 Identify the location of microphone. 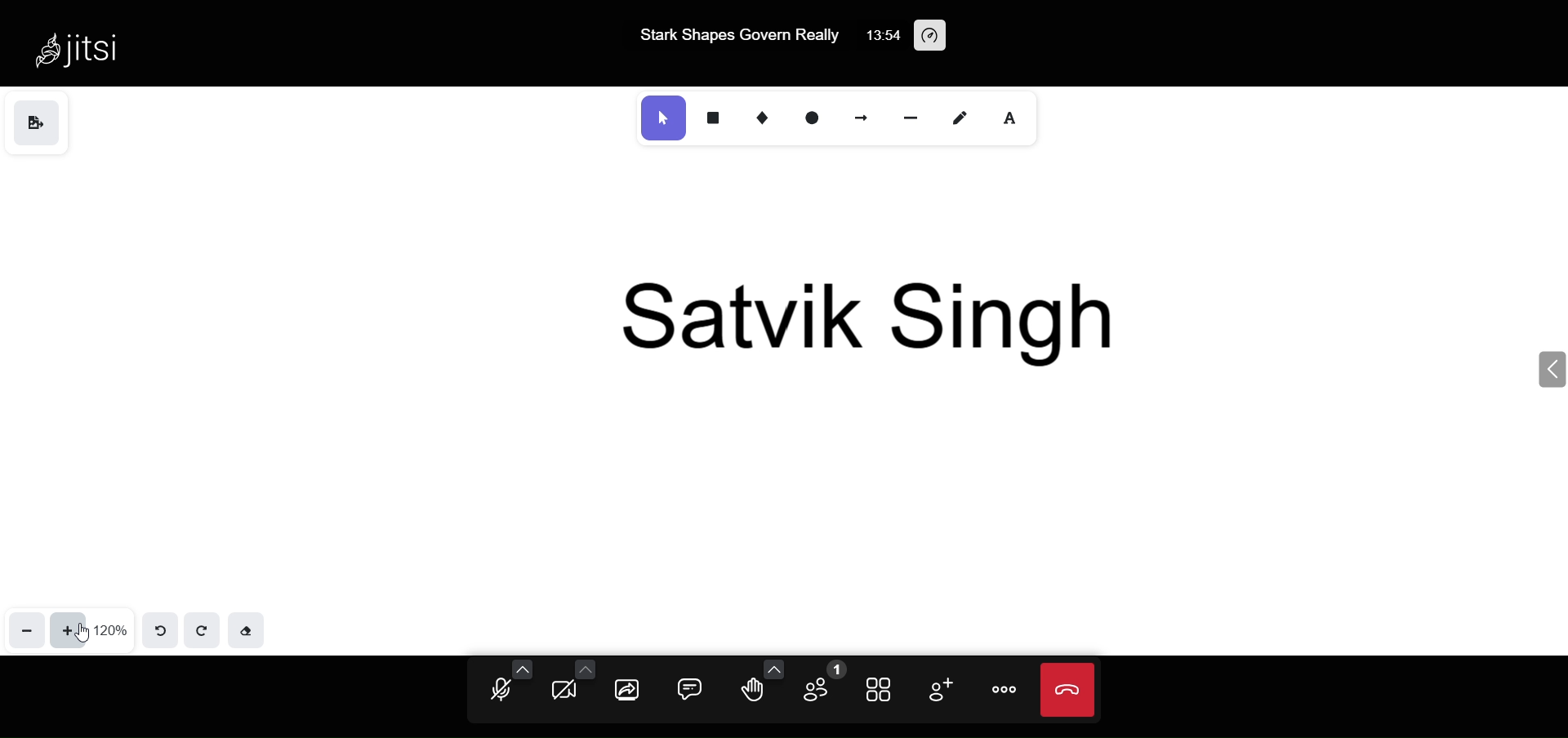
(498, 691).